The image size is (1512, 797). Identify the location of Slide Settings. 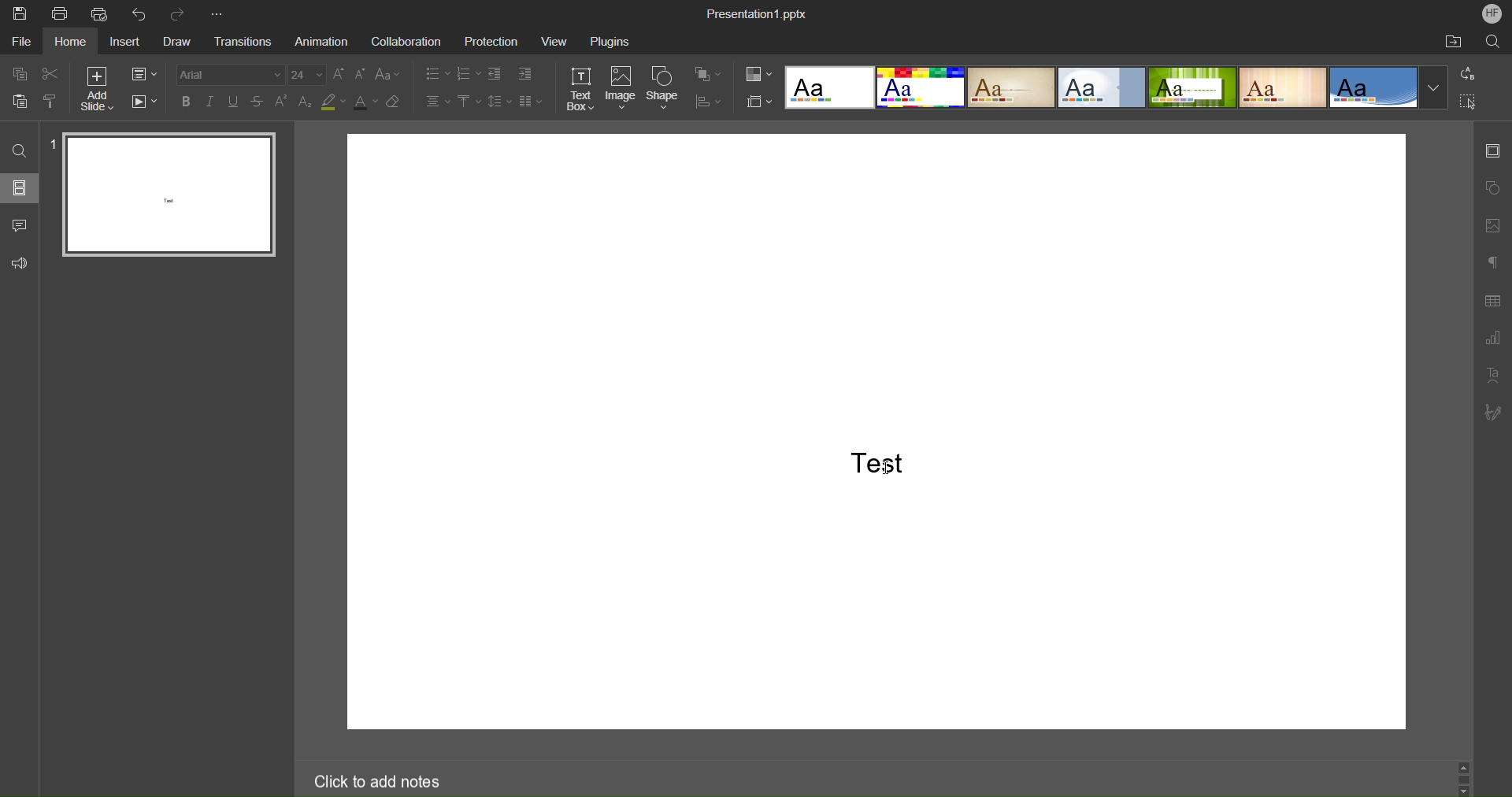
(1493, 153).